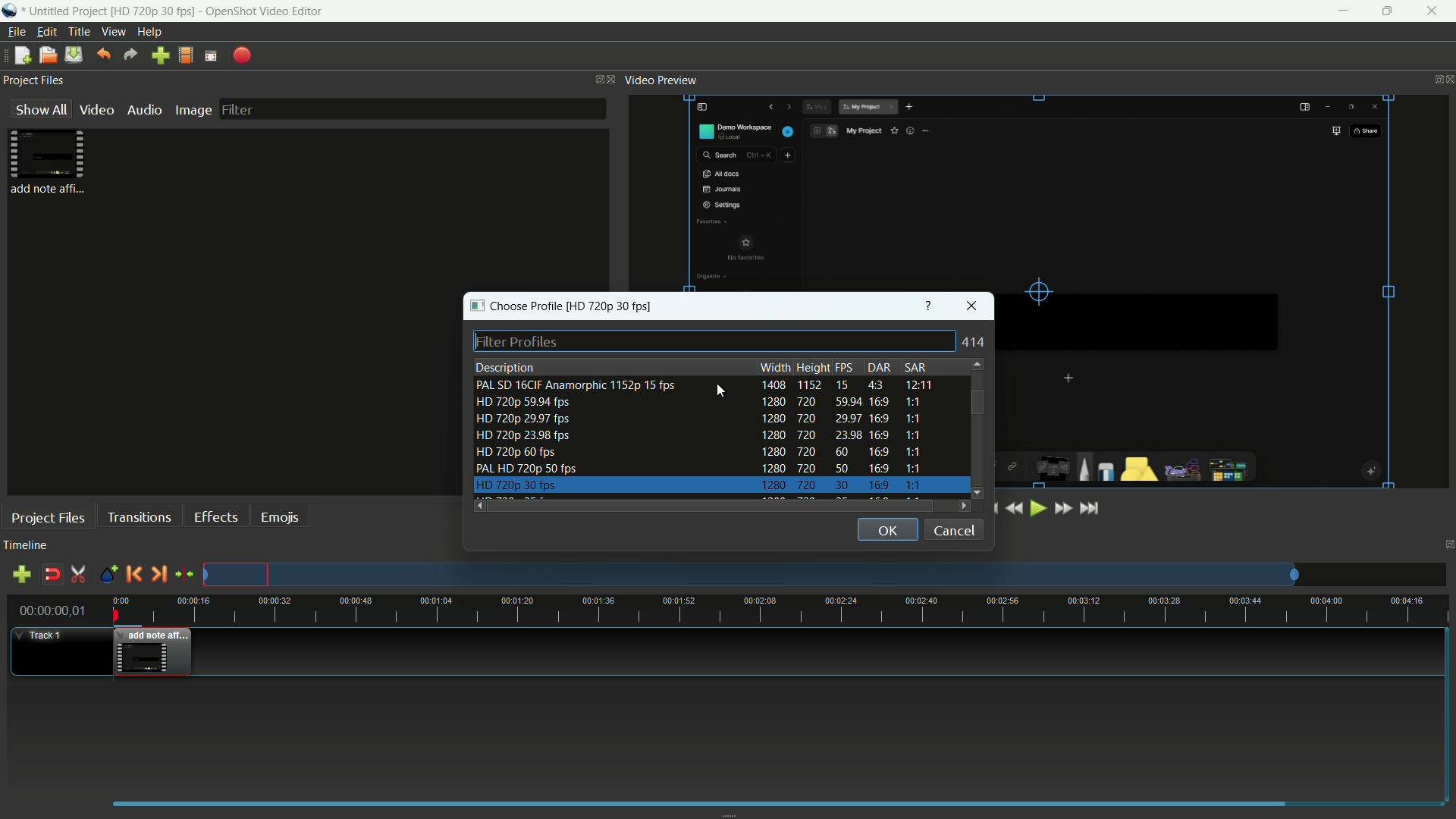 Image resolution: width=1456 pixels, height=819 pixels. Describe the element at coordinates (1437, 11) in the screenshot. I see `close app` at that location.